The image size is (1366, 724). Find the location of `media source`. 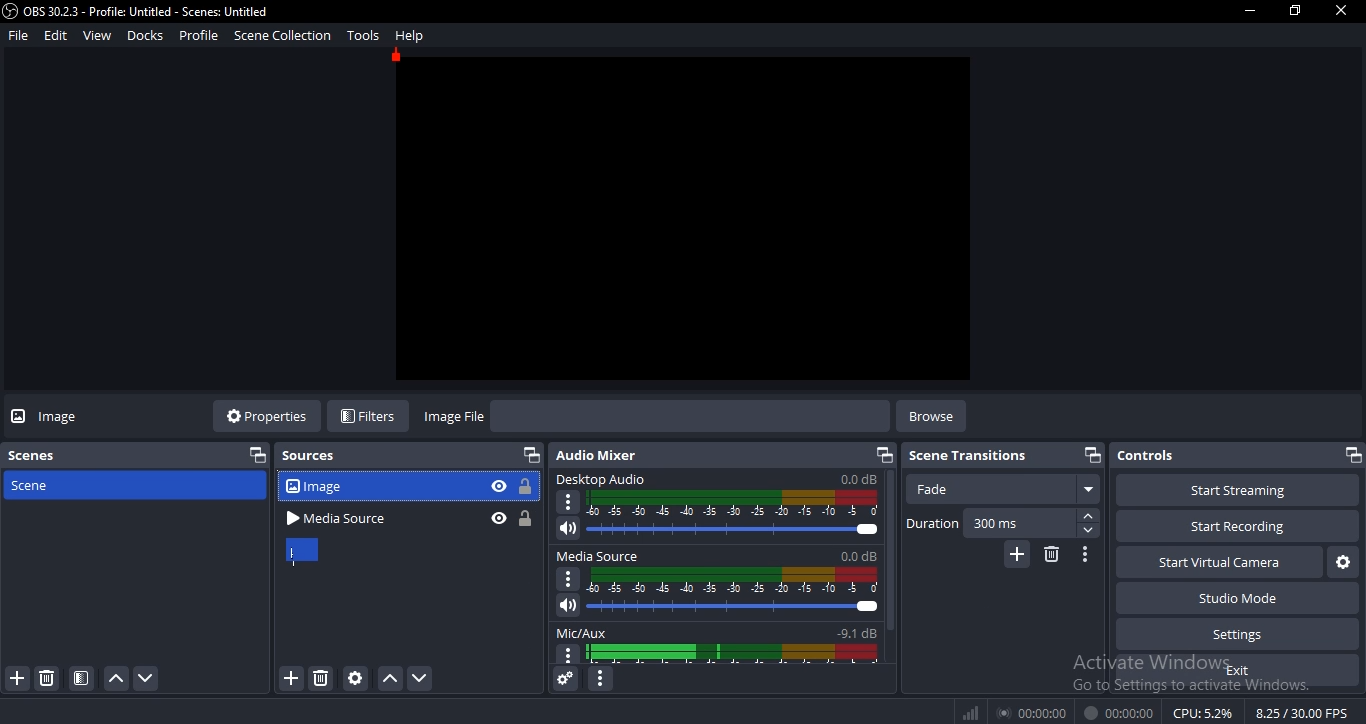

media source is located at coordinates (718, 557).